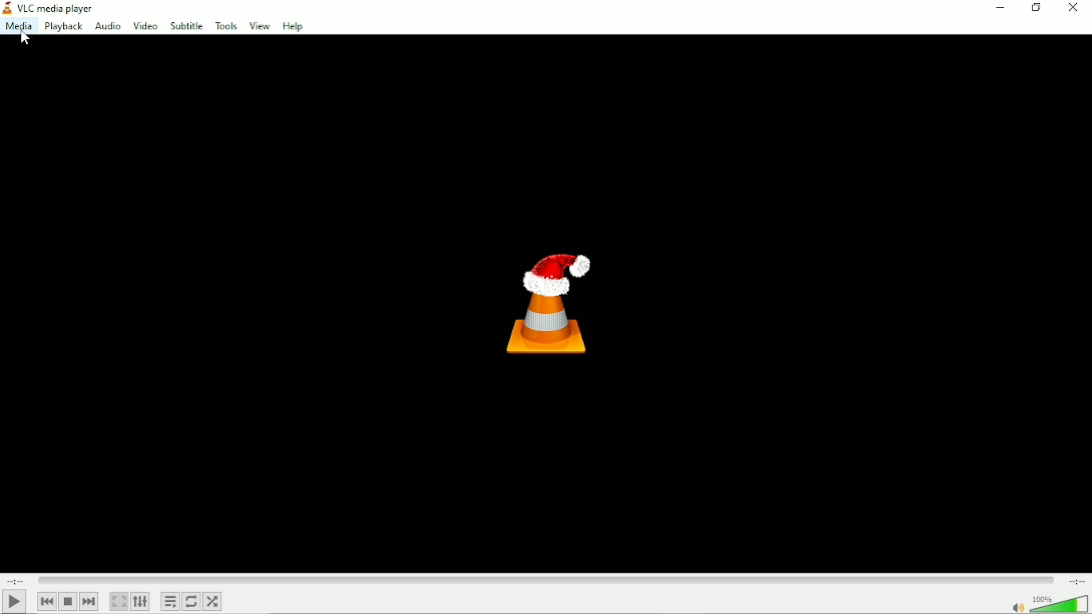 This screenshot has height=614, width=1092. What do you see at coordinates (213, 603) in the screenshot?
I see `Random` at bounding box center [213, 603].